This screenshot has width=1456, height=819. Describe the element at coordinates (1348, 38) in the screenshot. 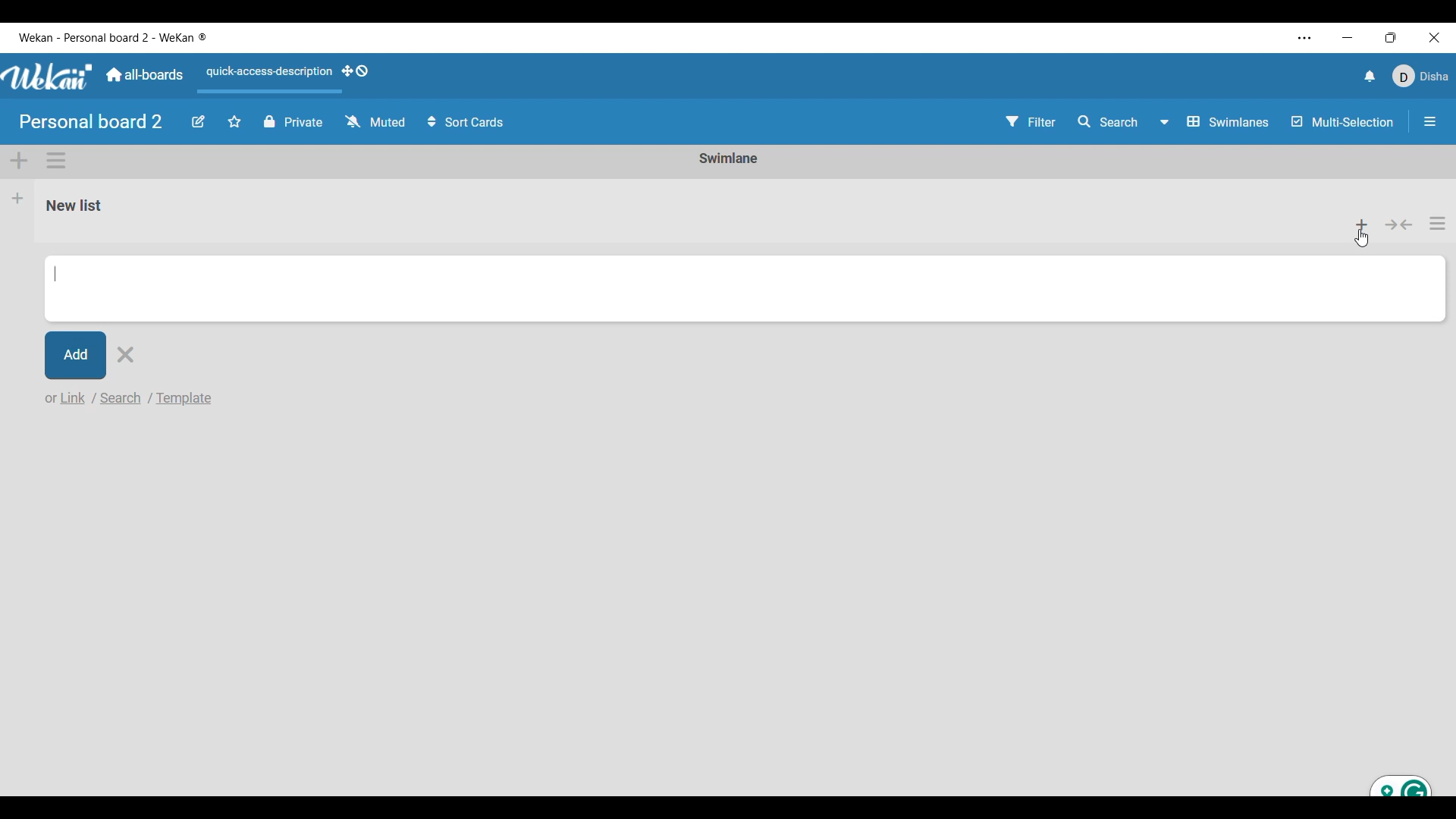

I see `Minimize` at that location.